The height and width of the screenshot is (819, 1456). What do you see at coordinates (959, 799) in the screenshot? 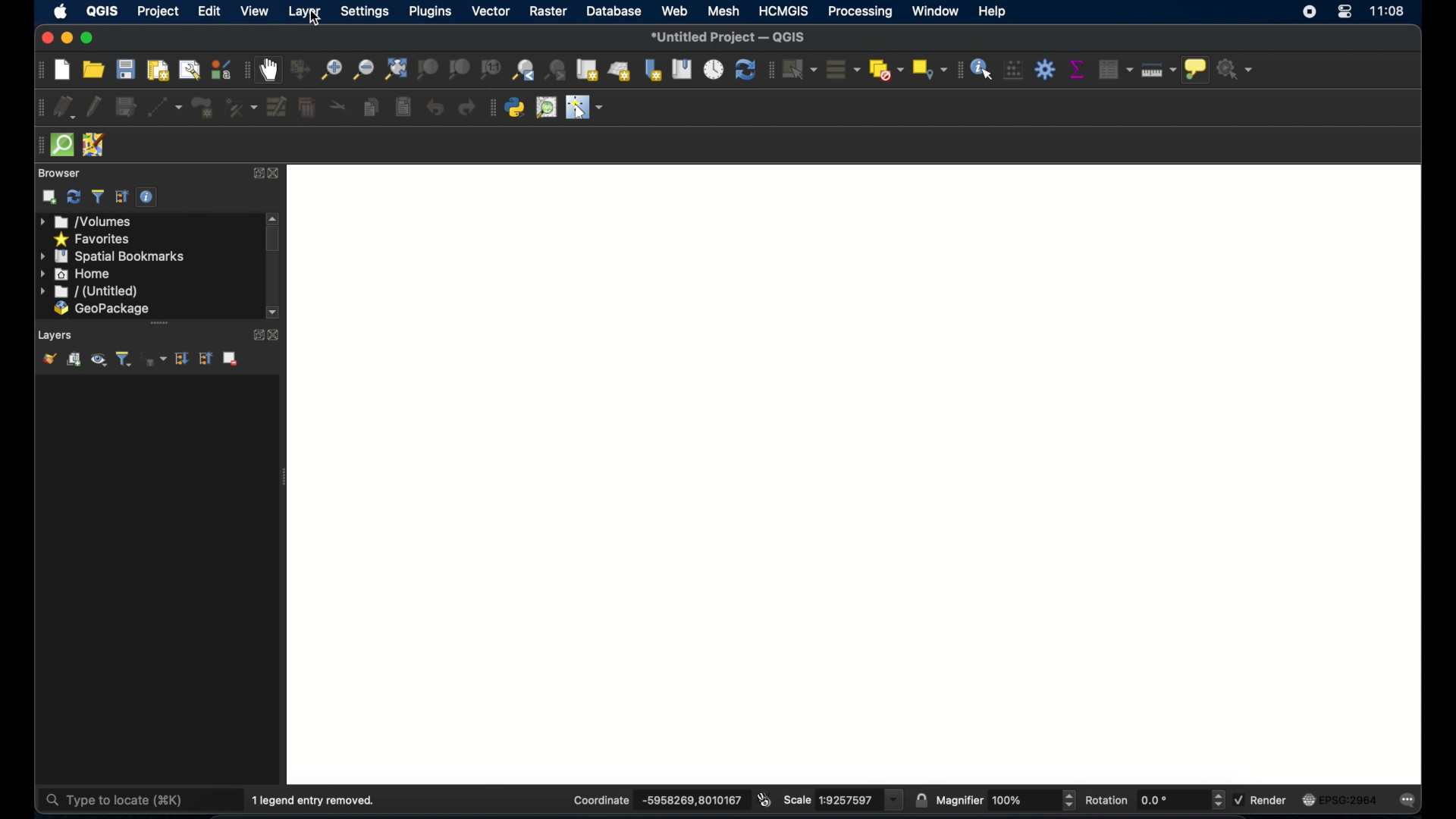
I see `magnifier` at bounding box center [959, 799].